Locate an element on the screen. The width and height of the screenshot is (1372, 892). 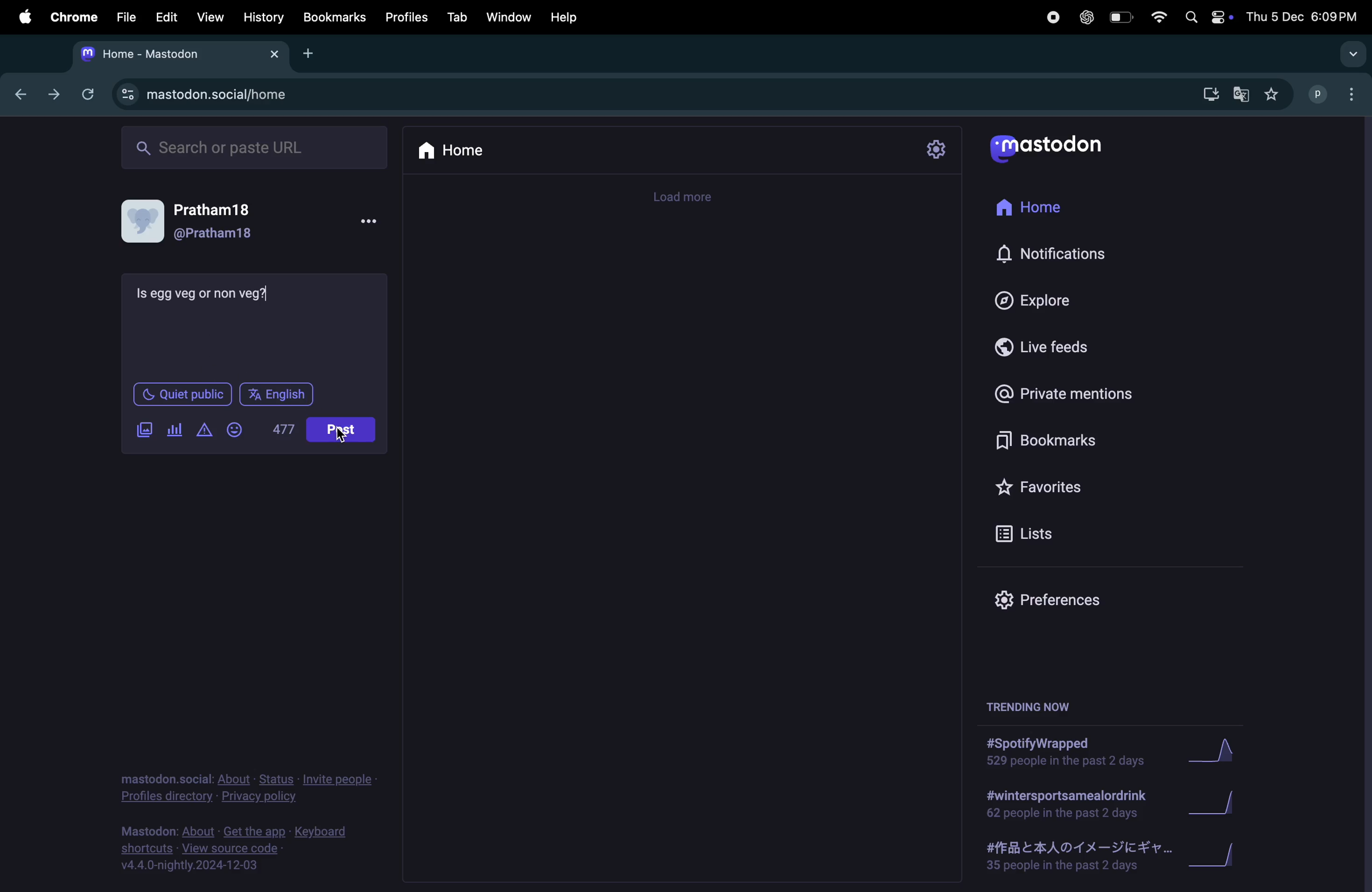
emoji is located at coordinates (236, 429).